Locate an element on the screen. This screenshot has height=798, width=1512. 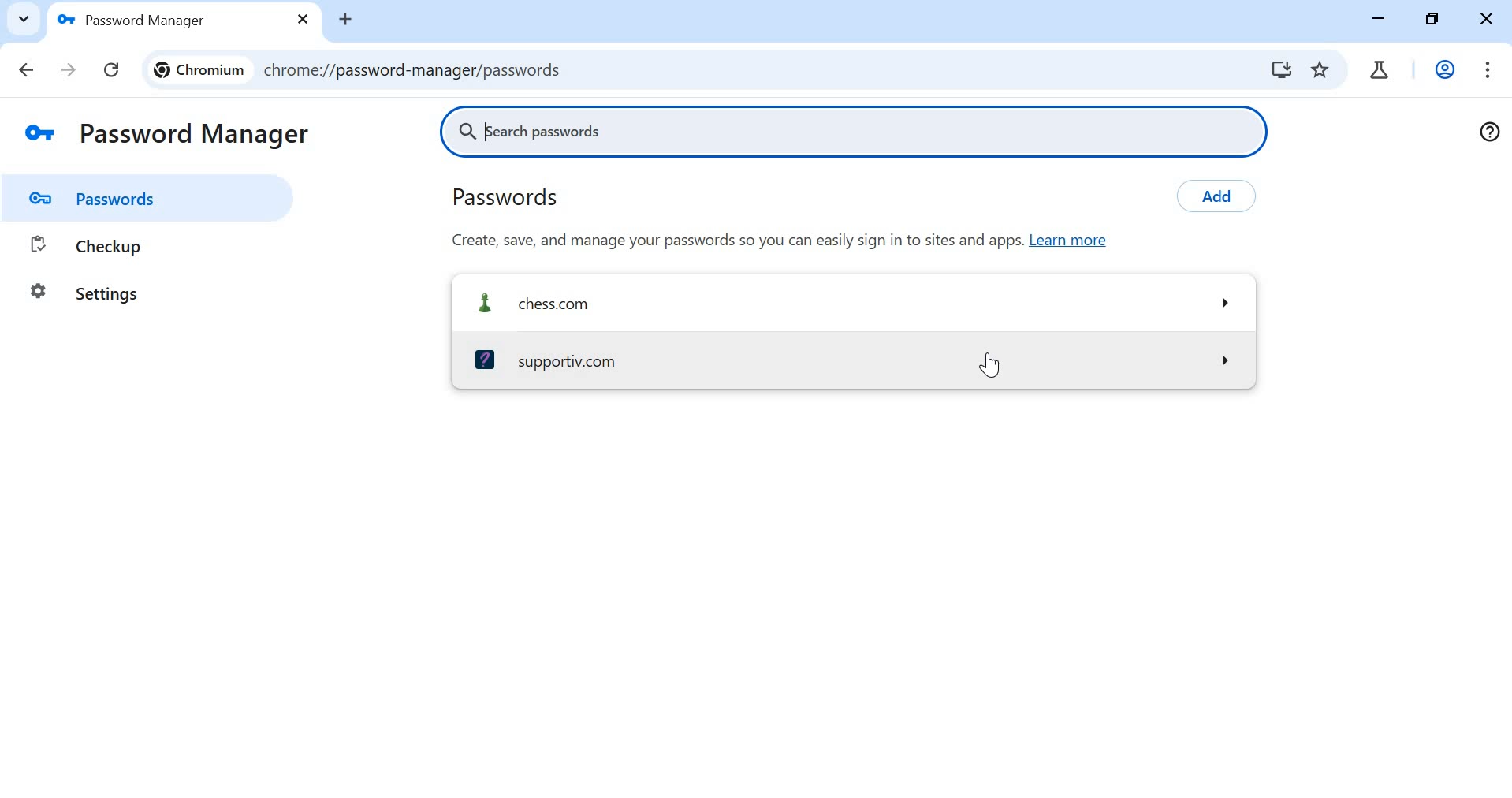
click to go back is located at coordinates (21, 69).